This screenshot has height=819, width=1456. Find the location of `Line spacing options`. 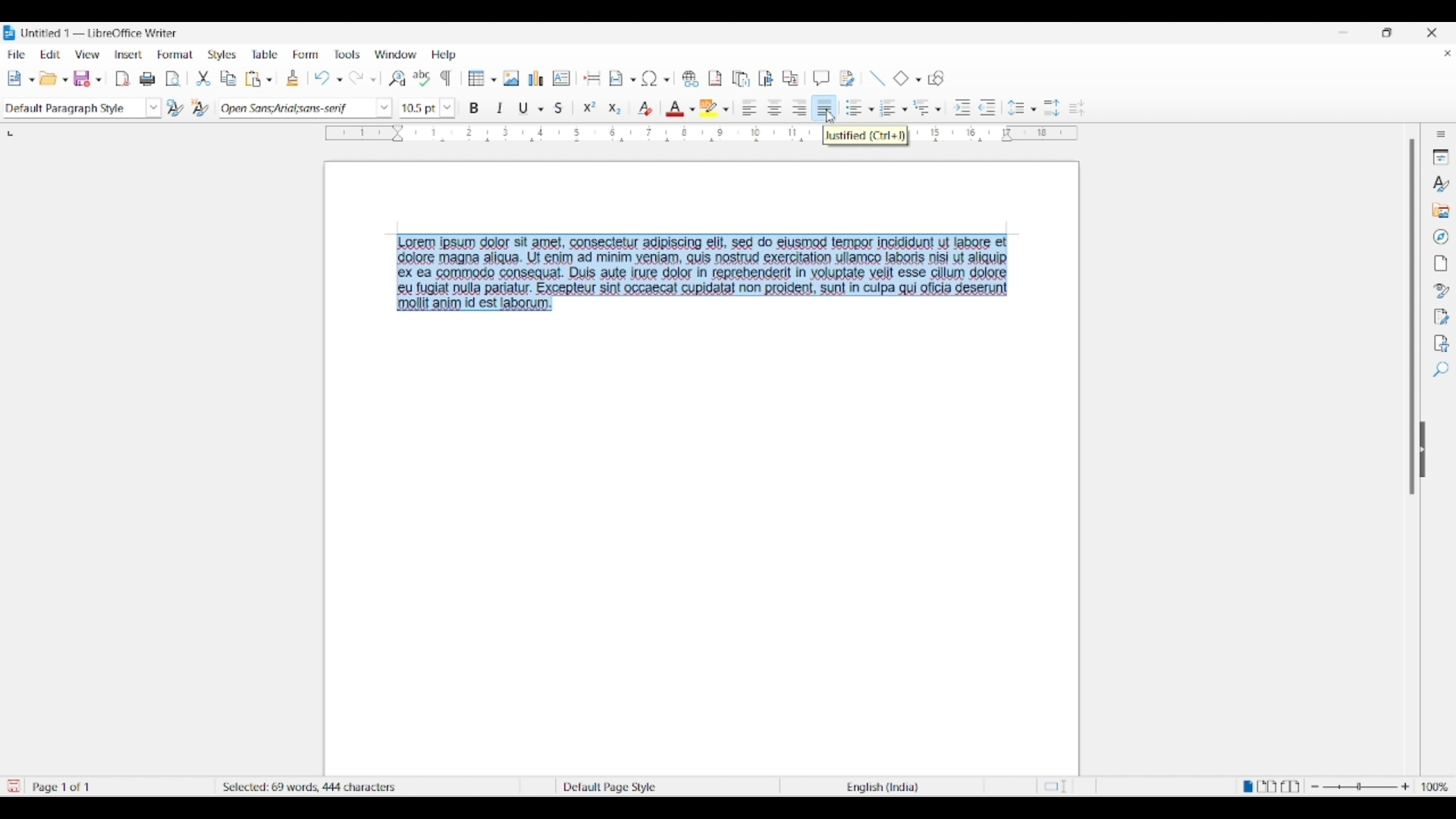

Line spacing options is located at coordinates (1034, 110).